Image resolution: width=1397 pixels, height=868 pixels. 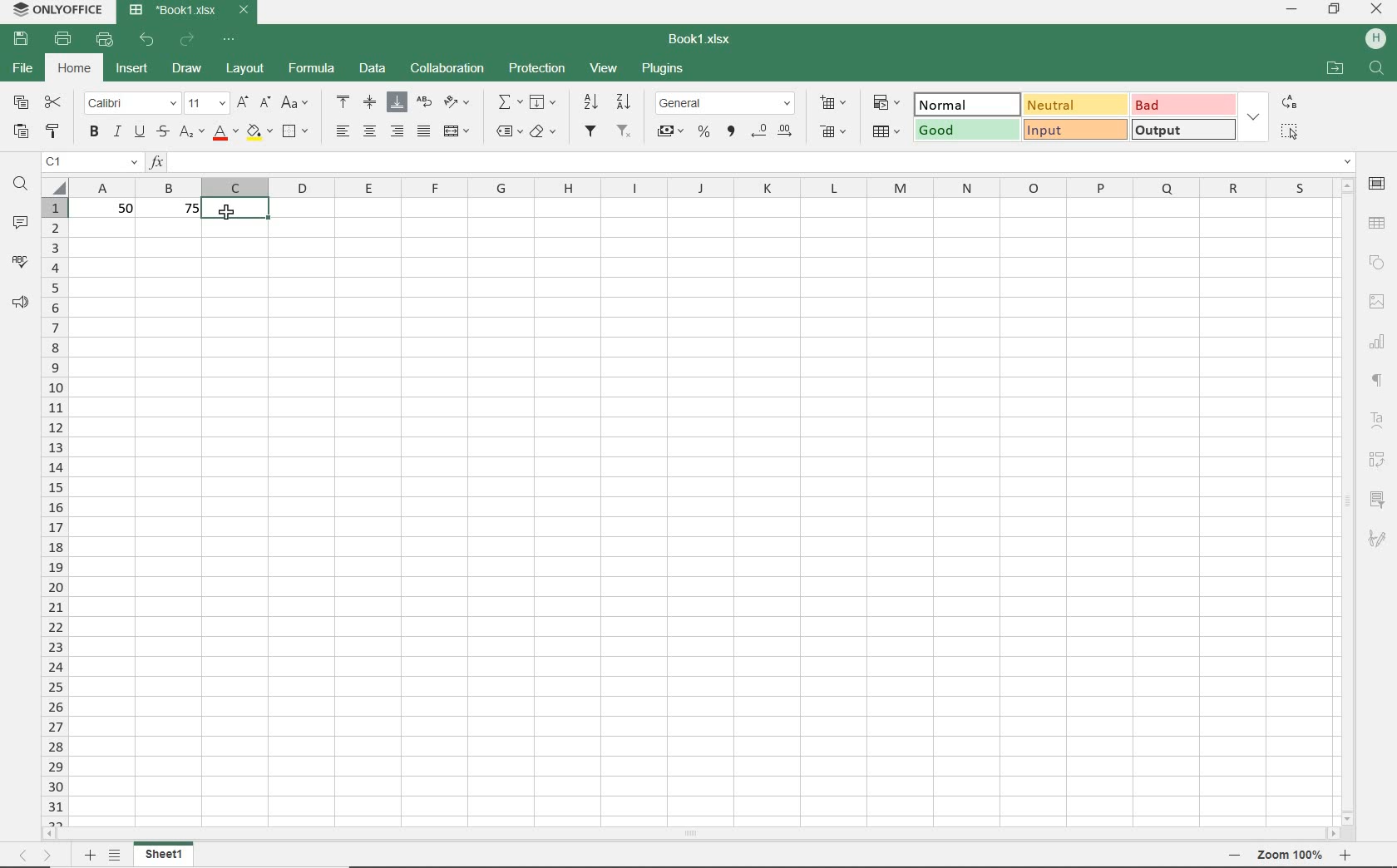 What do you see at coordinates (371, 133) in the screenshot?
I see `align center` at bounding box center [371, 133].